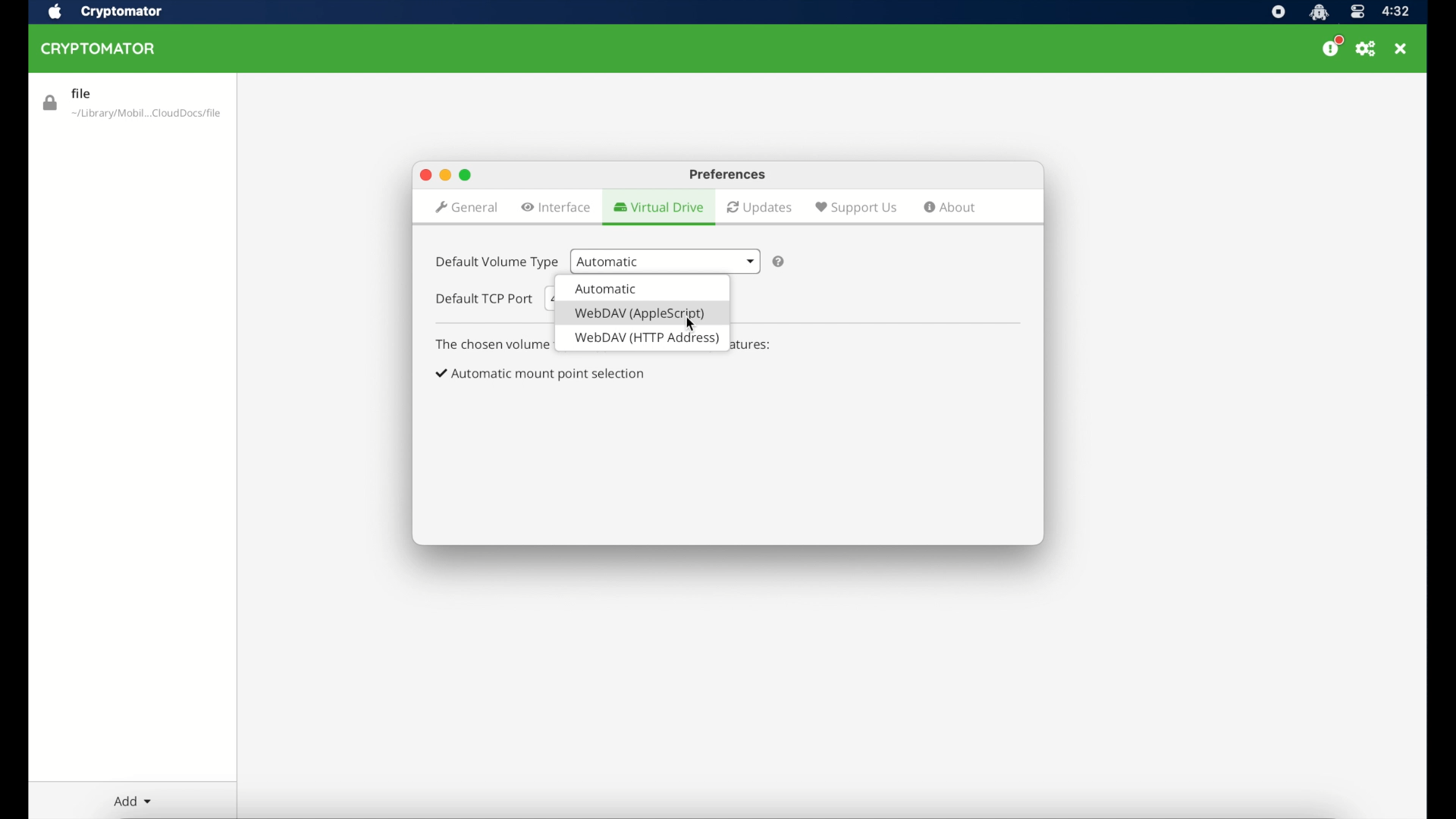 This screenshot has height=819, width=1456. I want to click on preferences, so click(1367, 49).